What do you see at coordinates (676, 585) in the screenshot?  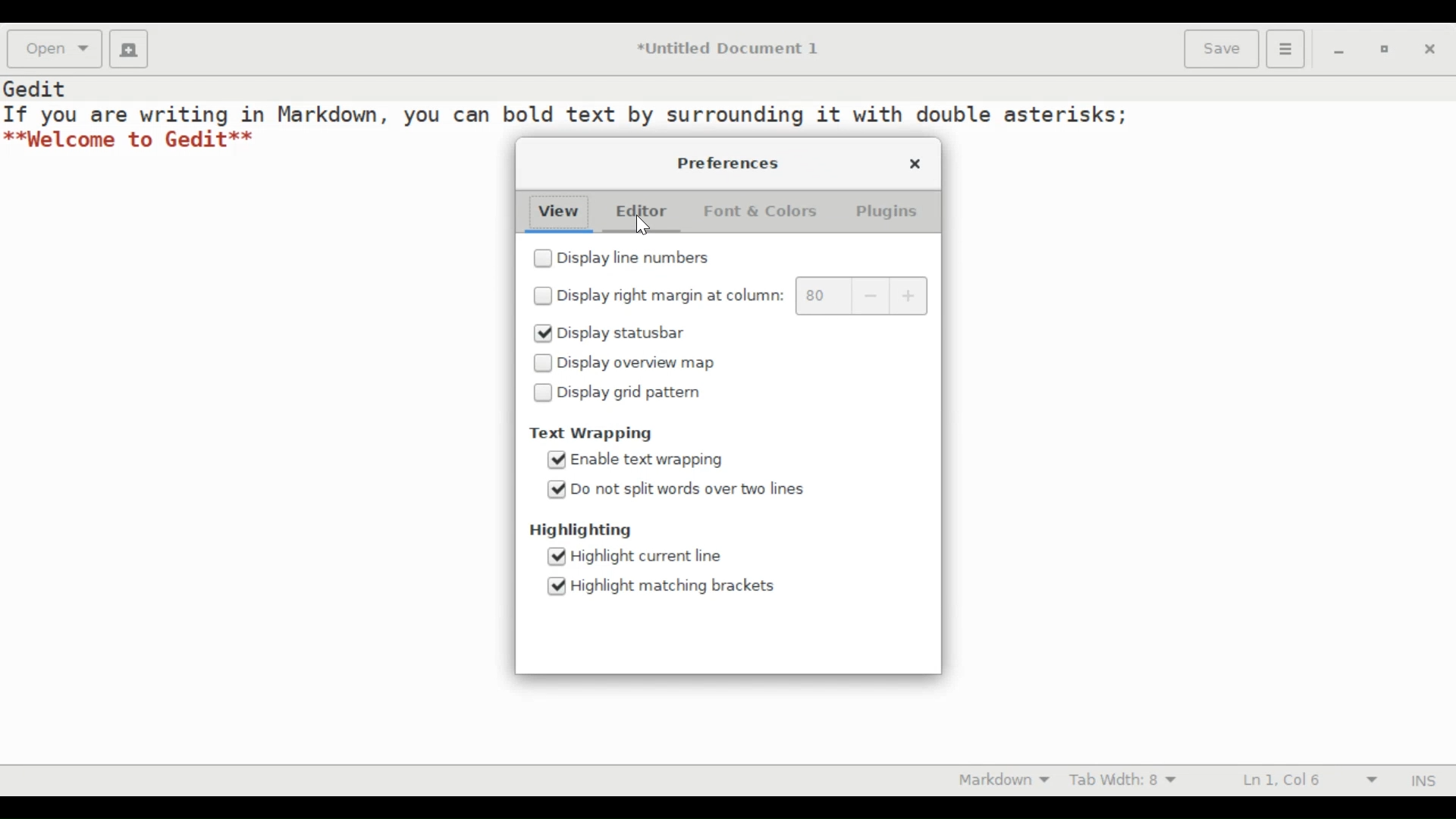 I see `Highlight matching brackets` at bounding box center [676, 585].